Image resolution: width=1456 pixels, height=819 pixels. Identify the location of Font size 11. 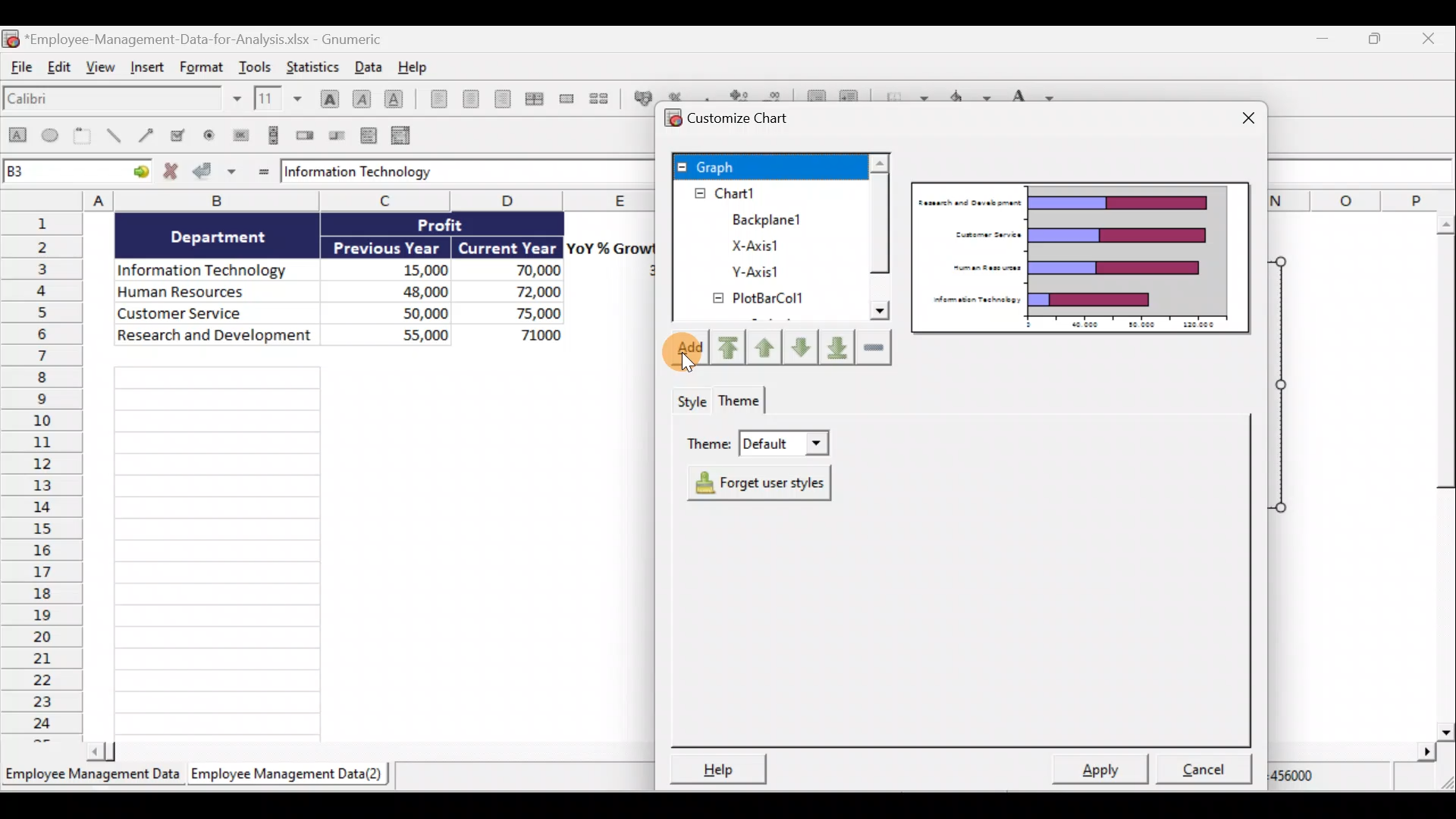
(276, 98).